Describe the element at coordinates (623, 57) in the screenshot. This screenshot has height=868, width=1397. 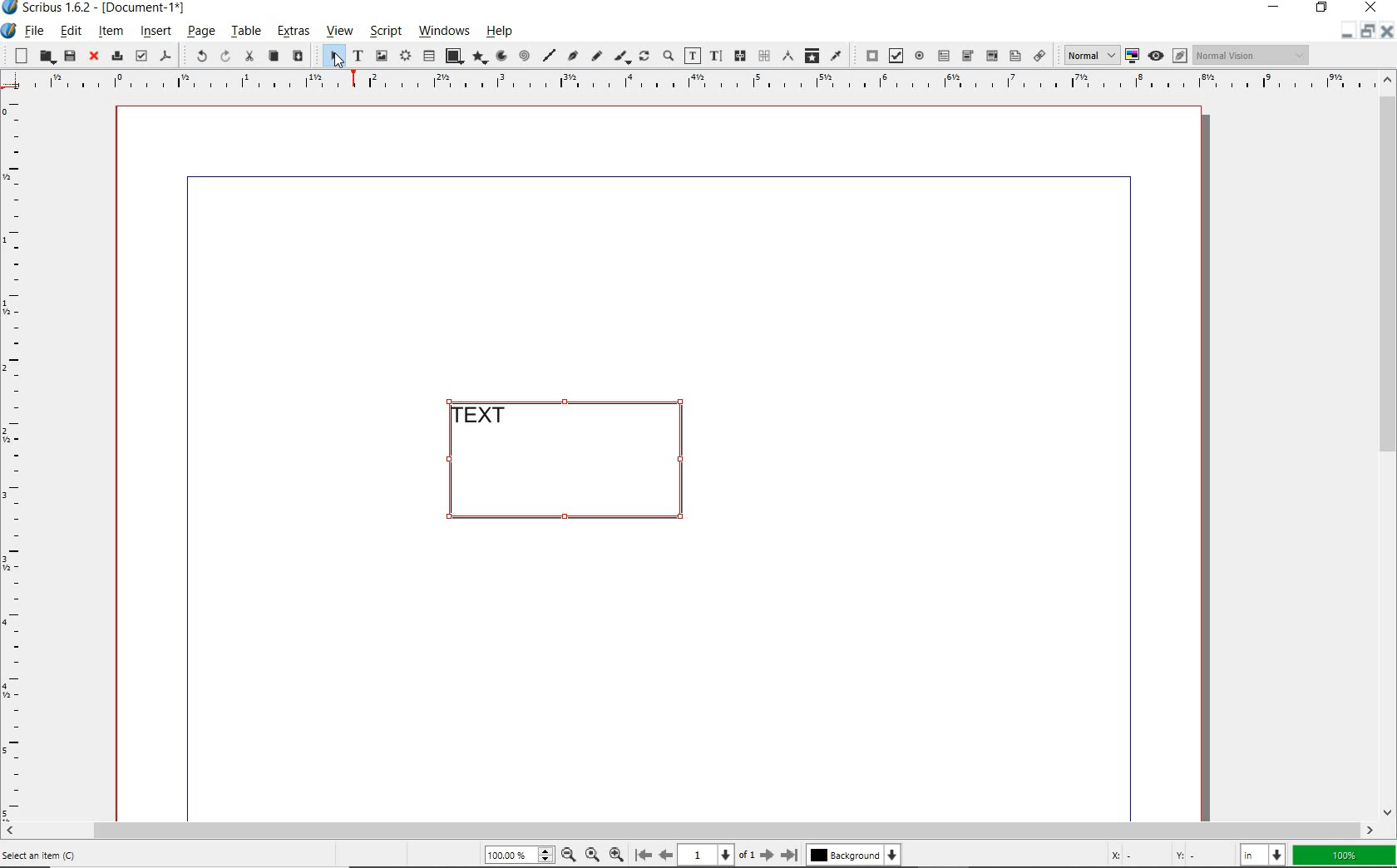
I see `calligraphic line` at that location.